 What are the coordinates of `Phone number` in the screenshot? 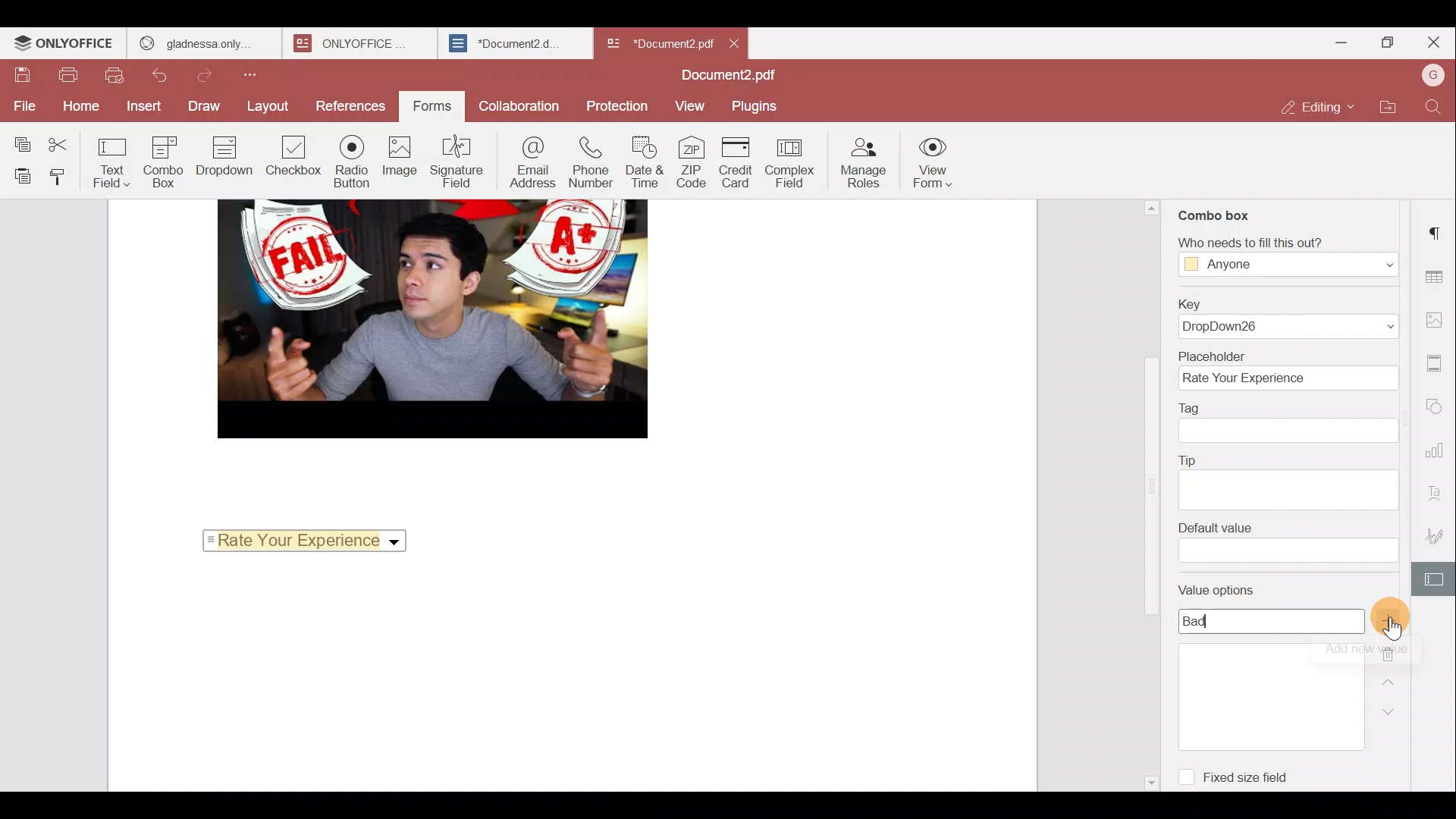 It's located at (591, 164).